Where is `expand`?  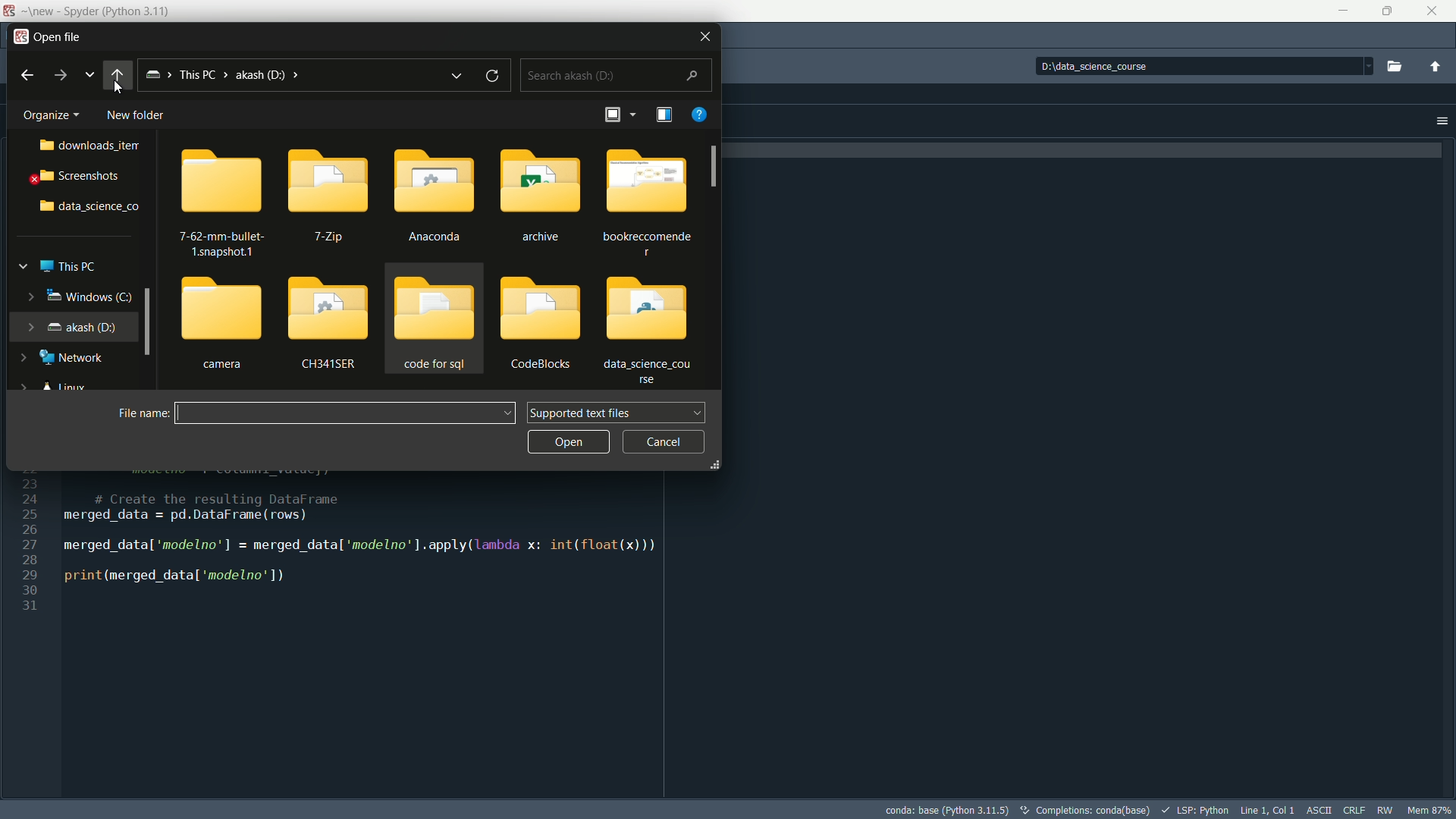
expand is located at coordinates (21, 266).